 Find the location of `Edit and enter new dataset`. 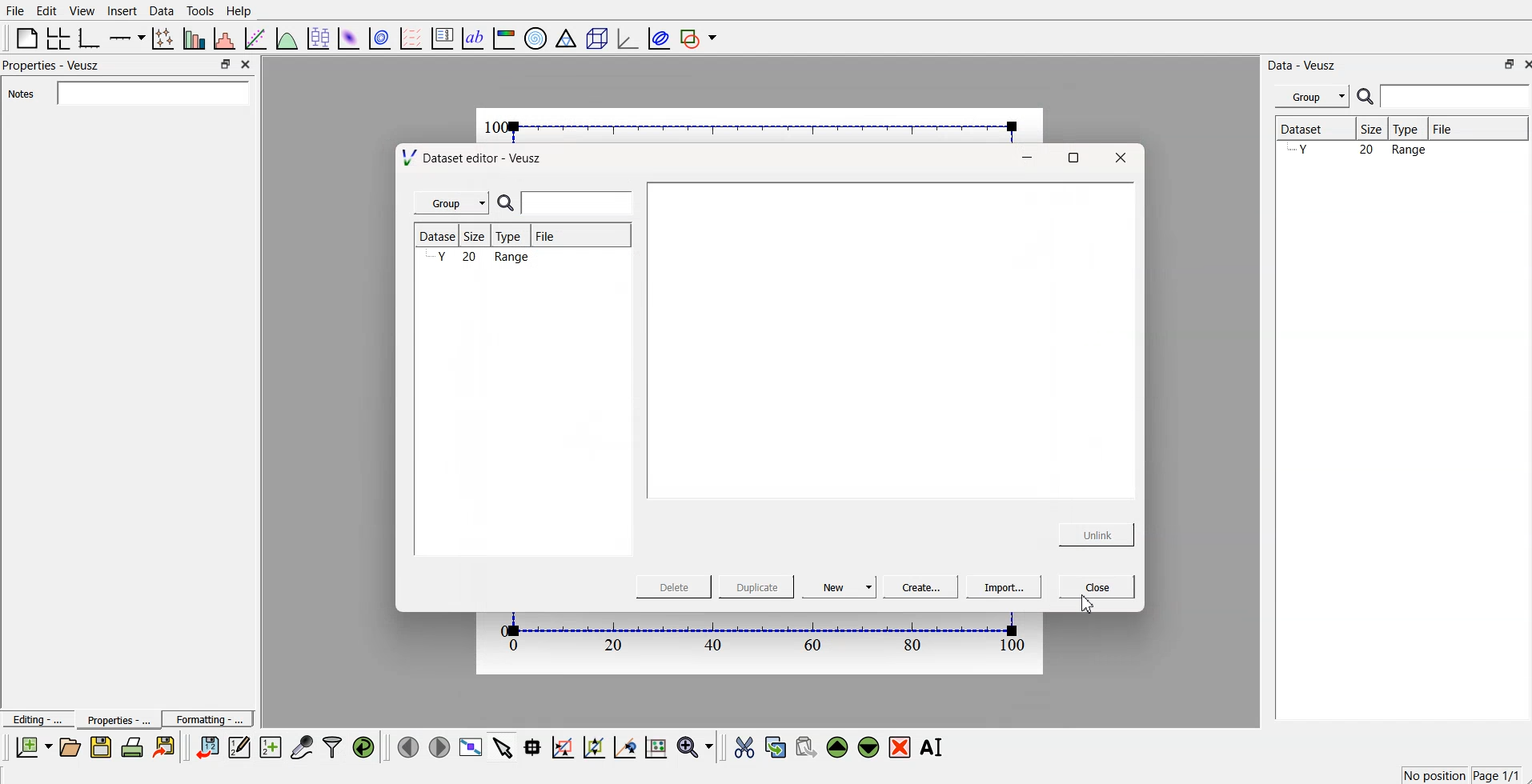

Edit and enter new dataset is located at coordinates (237, 747).